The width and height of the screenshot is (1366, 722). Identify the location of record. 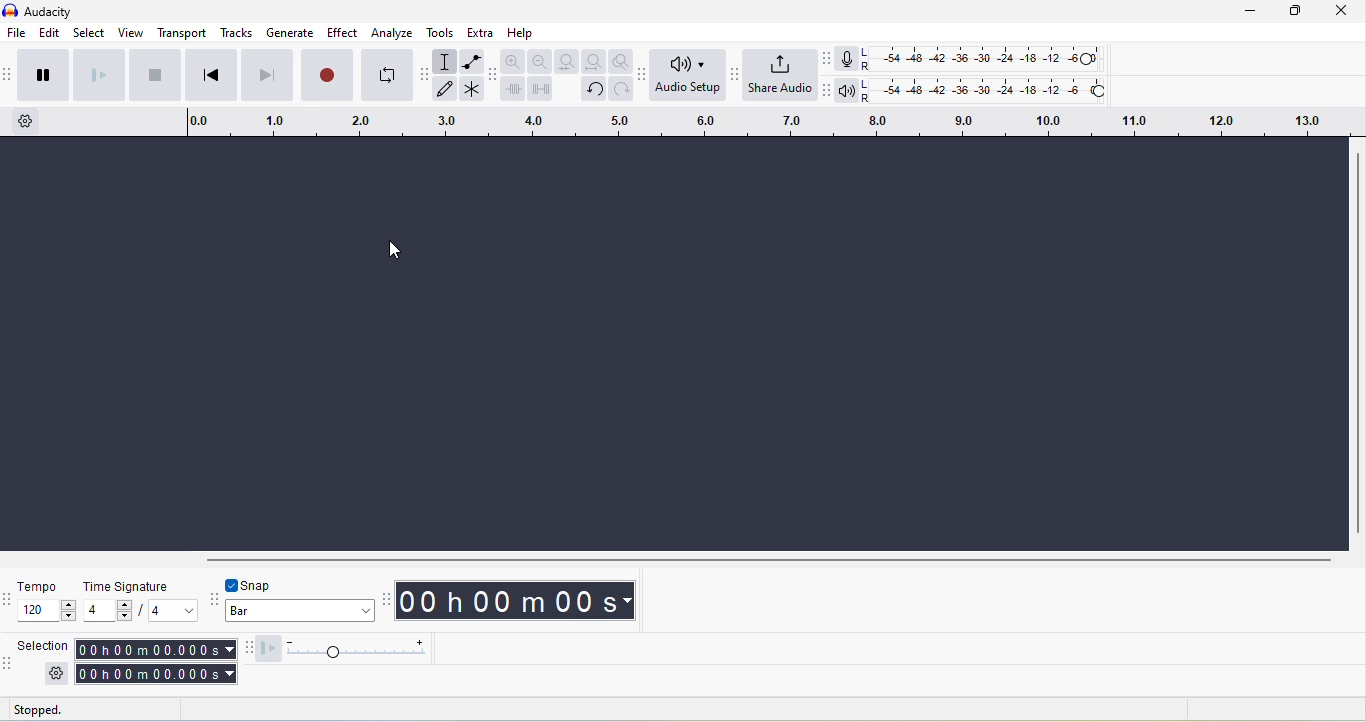
(327, 75).